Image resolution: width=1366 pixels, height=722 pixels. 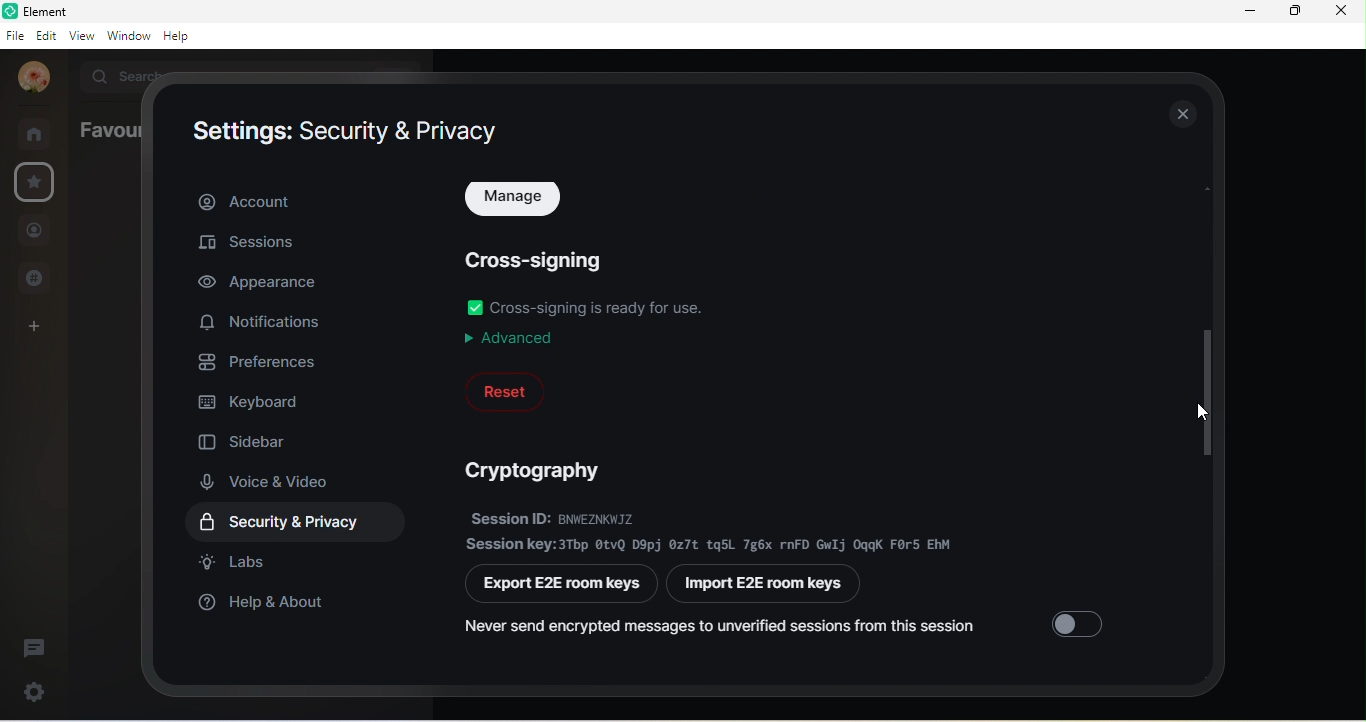 I want to click on advanced, so click(x=513, y=338).